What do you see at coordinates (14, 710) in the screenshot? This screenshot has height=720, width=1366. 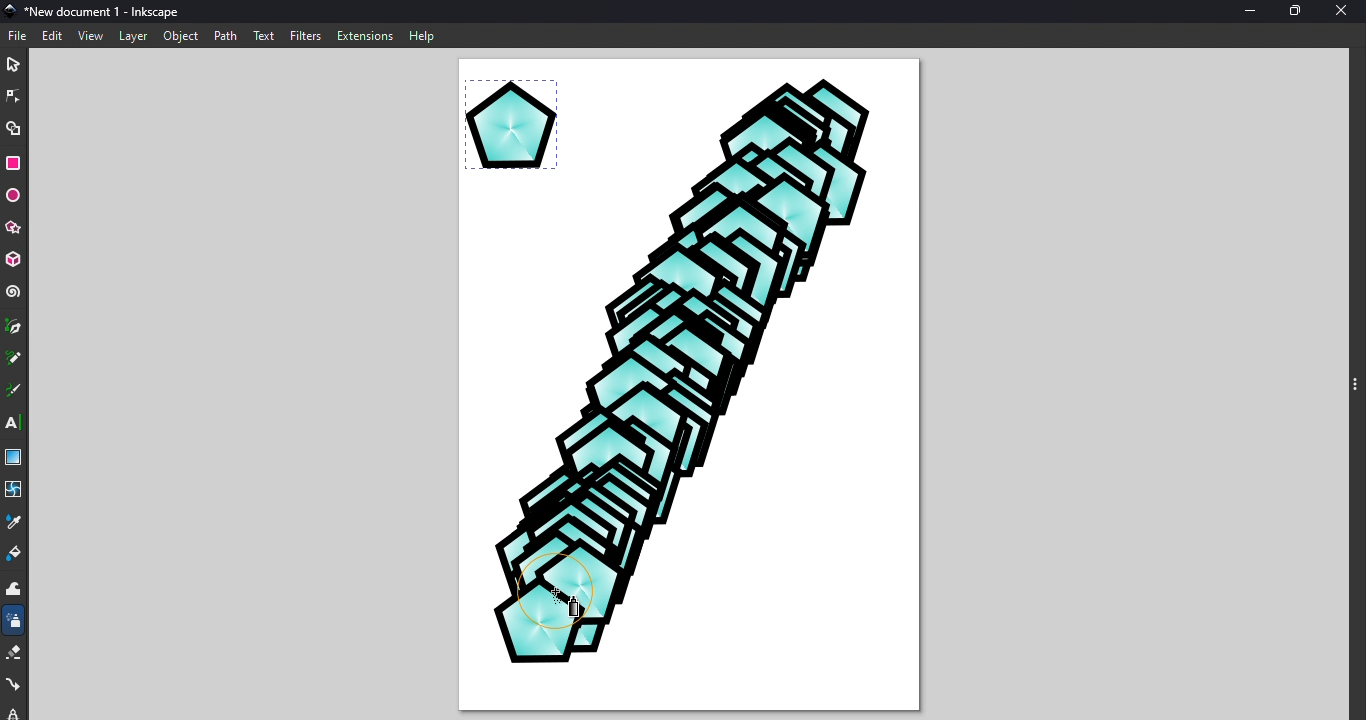 I see `lock` at bounding box center [14, 710].